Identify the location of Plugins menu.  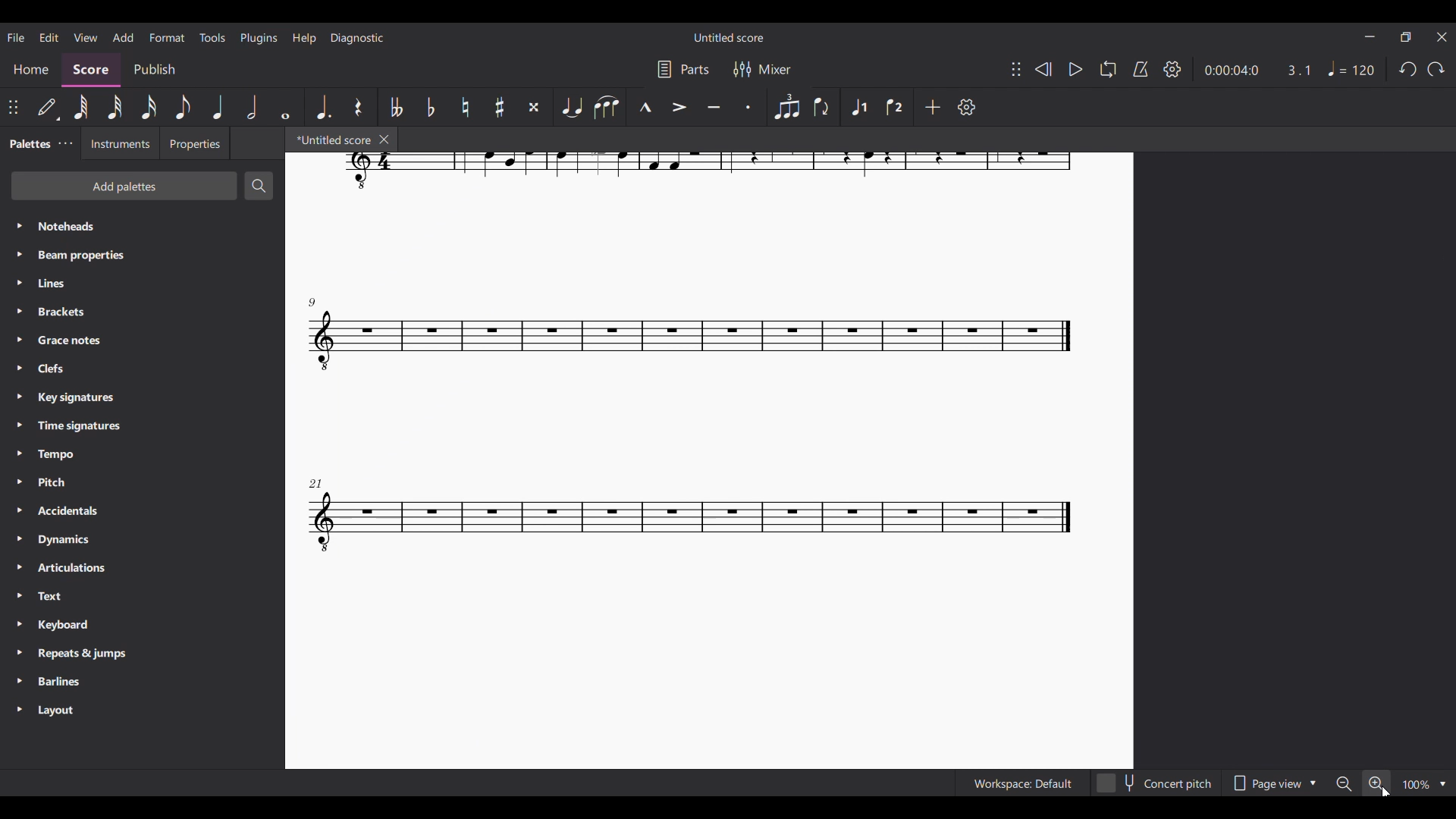
(259, 39).